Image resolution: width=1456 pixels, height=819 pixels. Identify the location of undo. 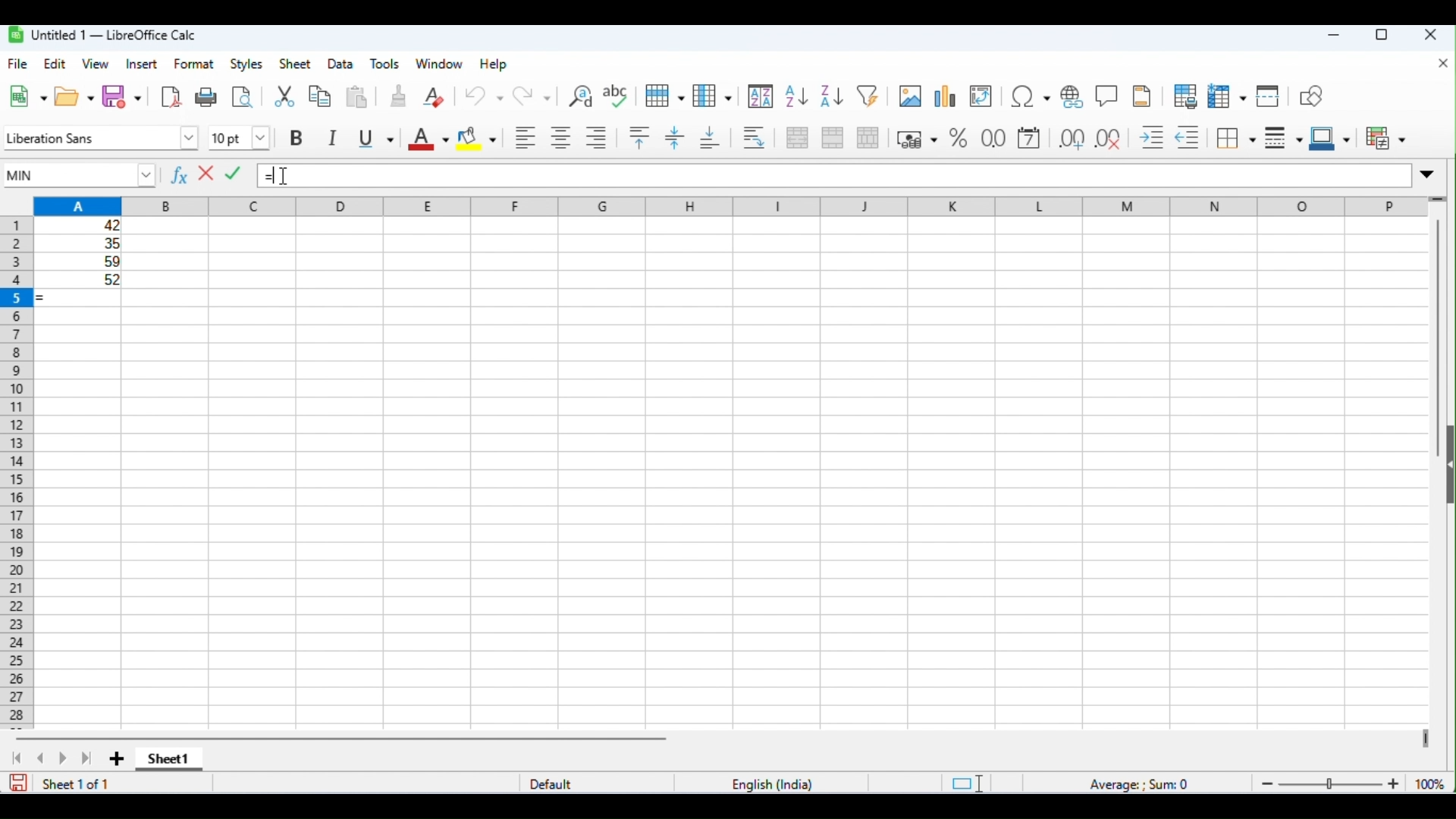
(483, 94).